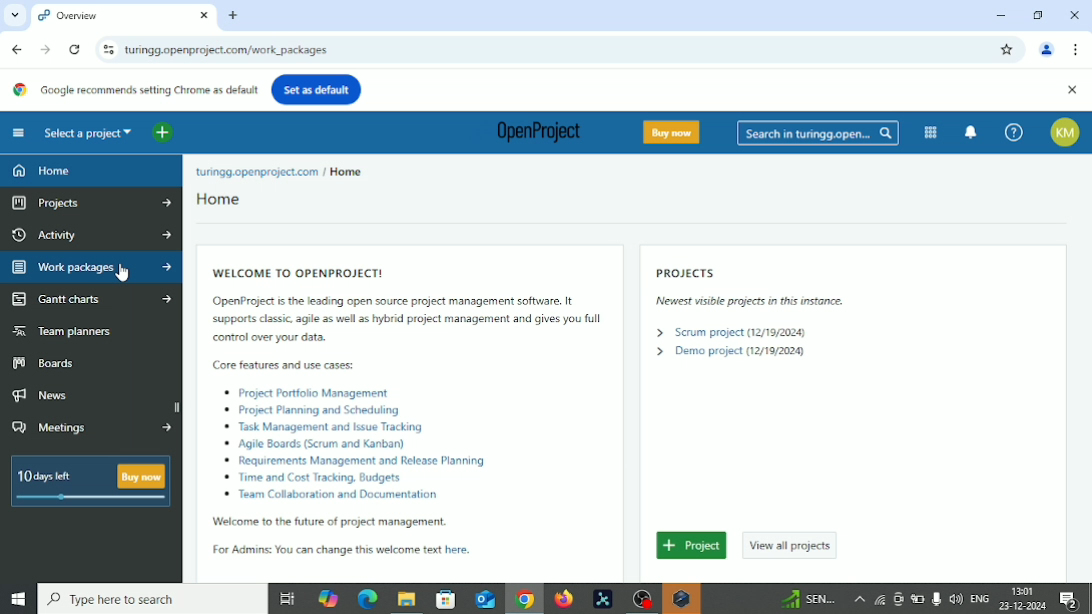 Image resolution: width=1092 pixels, height=614 pixels. I want to click on ® Project Portfolio Management, so click(326, 392).